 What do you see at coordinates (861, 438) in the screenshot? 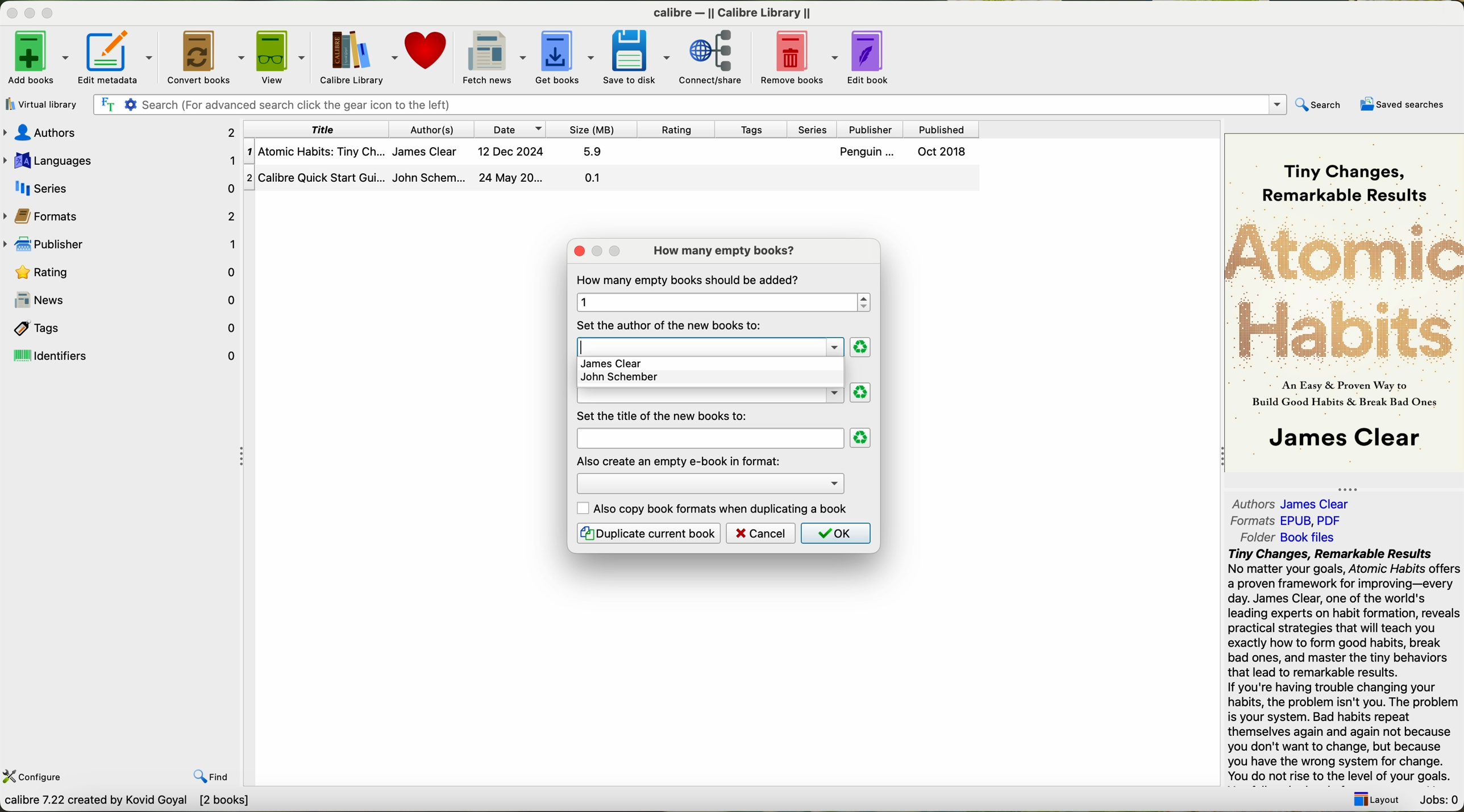
I see `clear` at bounding box center [861, 438].